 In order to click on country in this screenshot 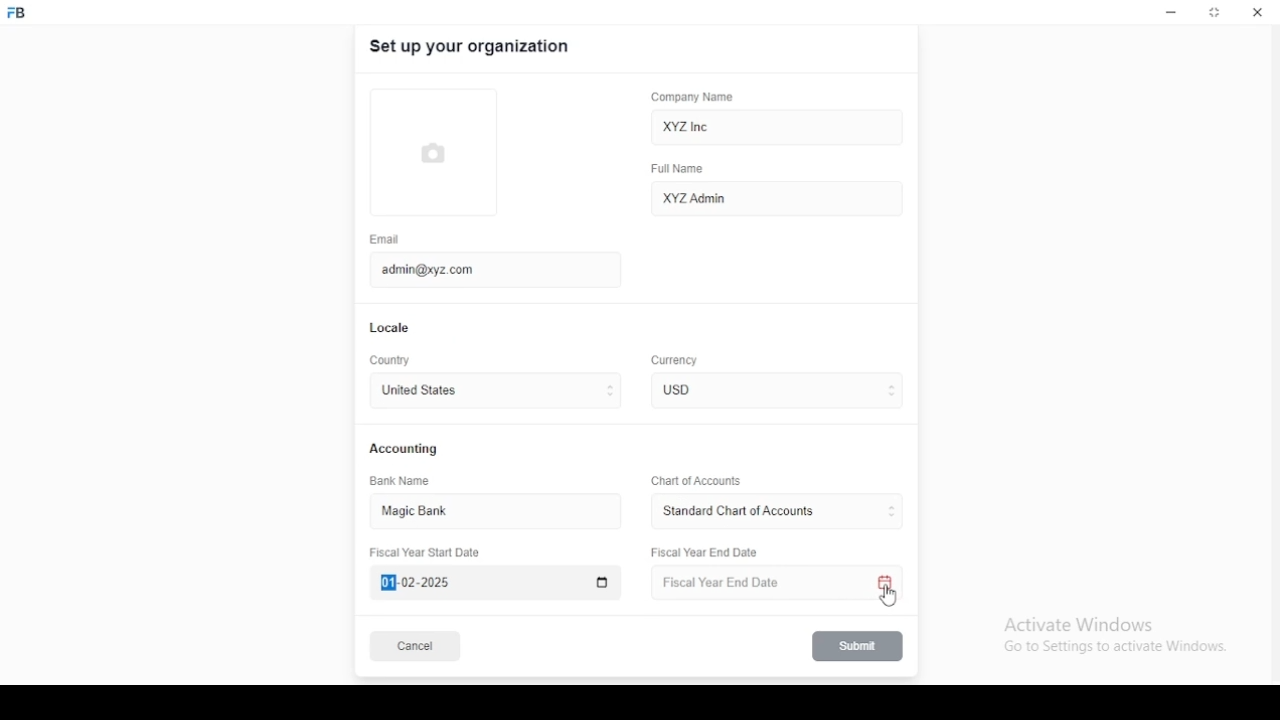, I will do `click(392, 361)`.